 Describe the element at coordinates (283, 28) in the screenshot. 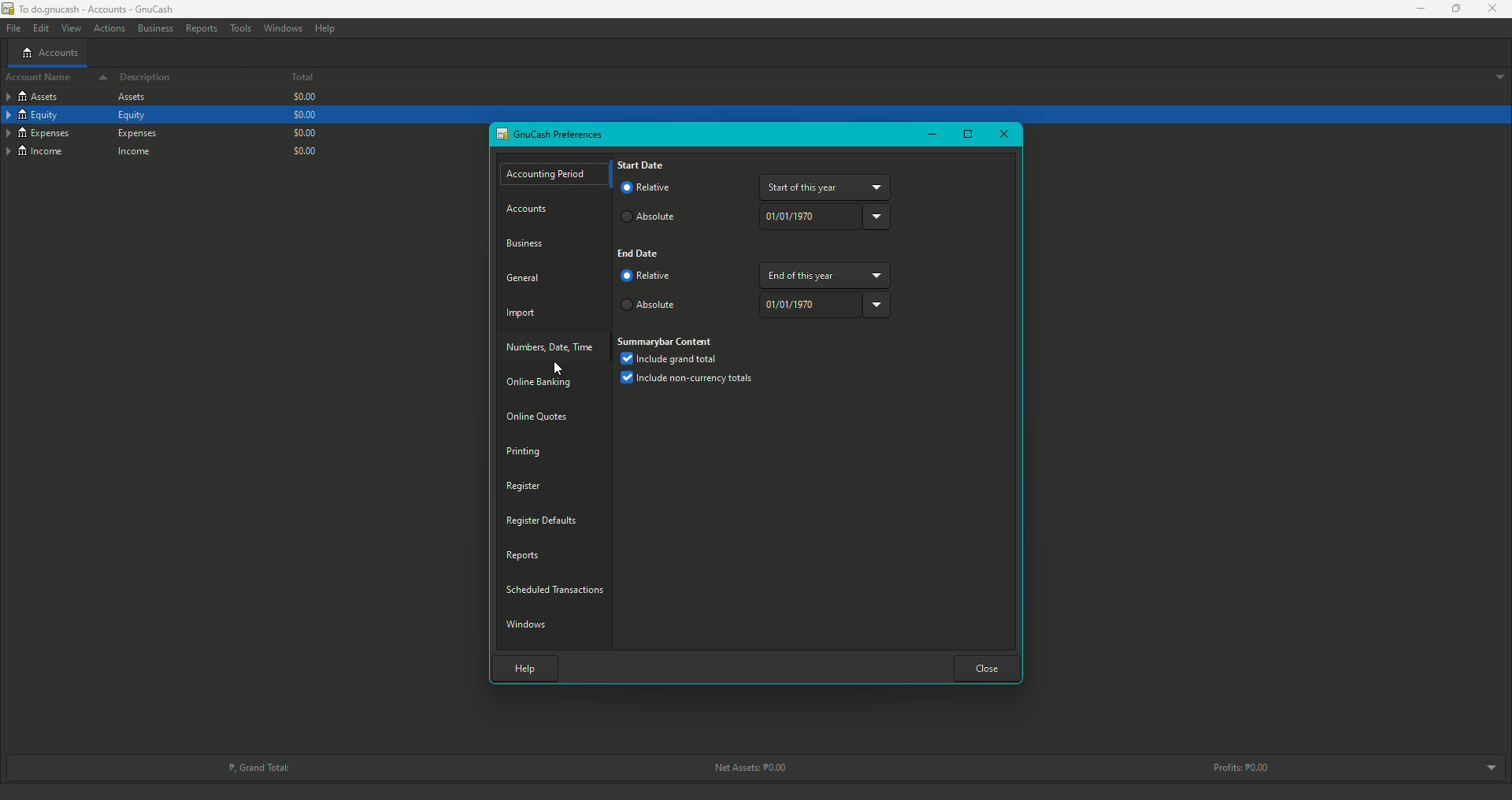

I see `Windows` at that location.